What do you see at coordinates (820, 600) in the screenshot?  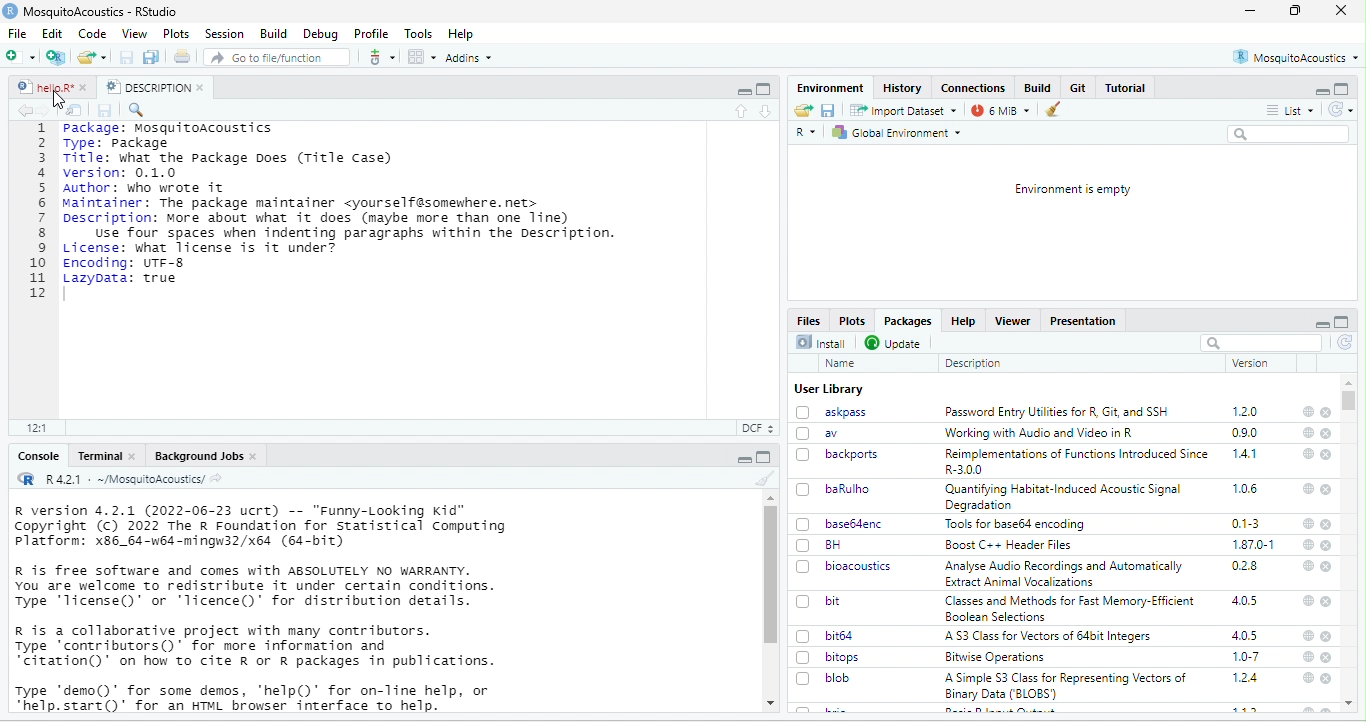 I see `bit` at bounding box center [820, 600].